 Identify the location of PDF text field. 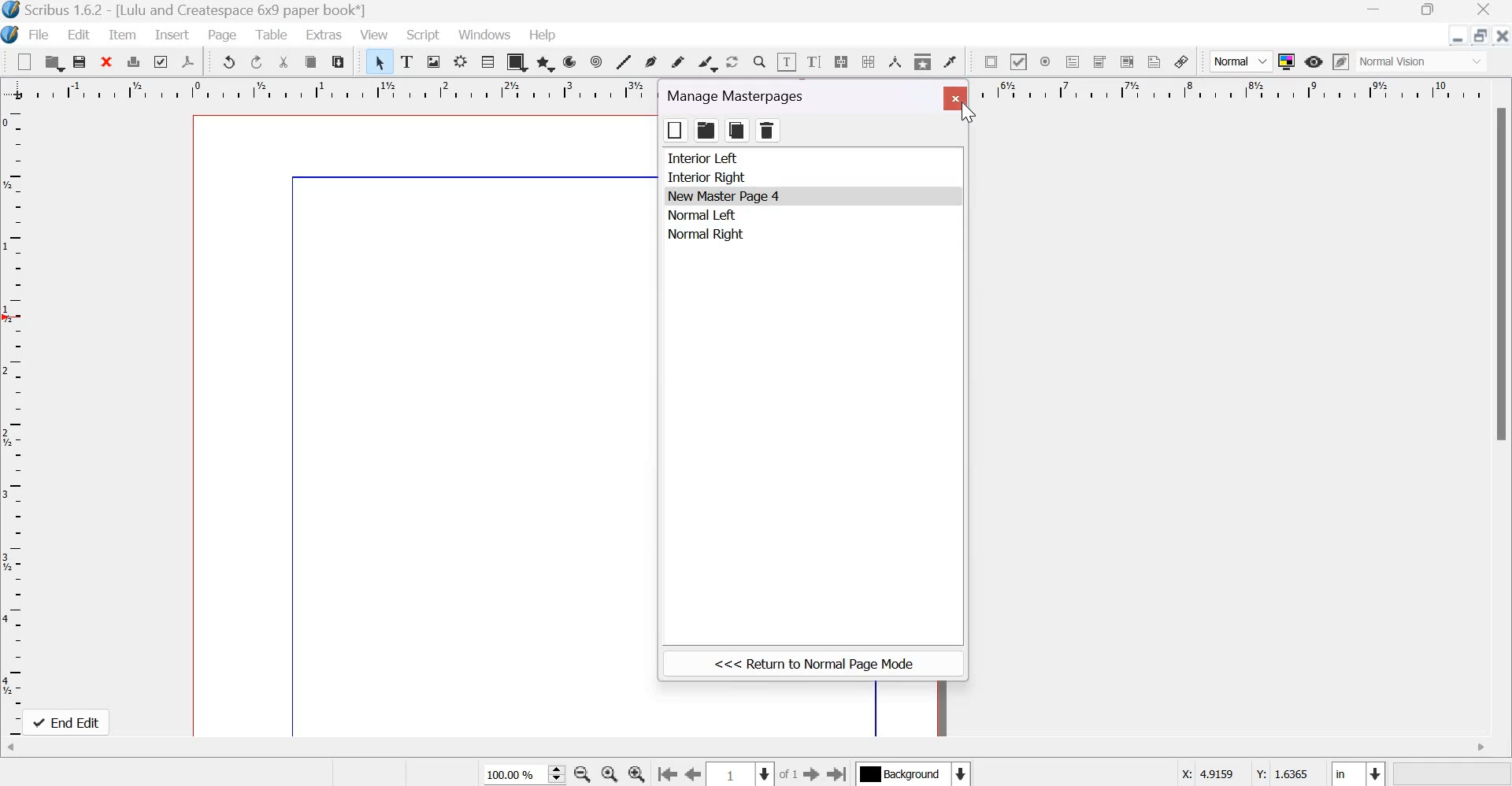
(1073, 61).